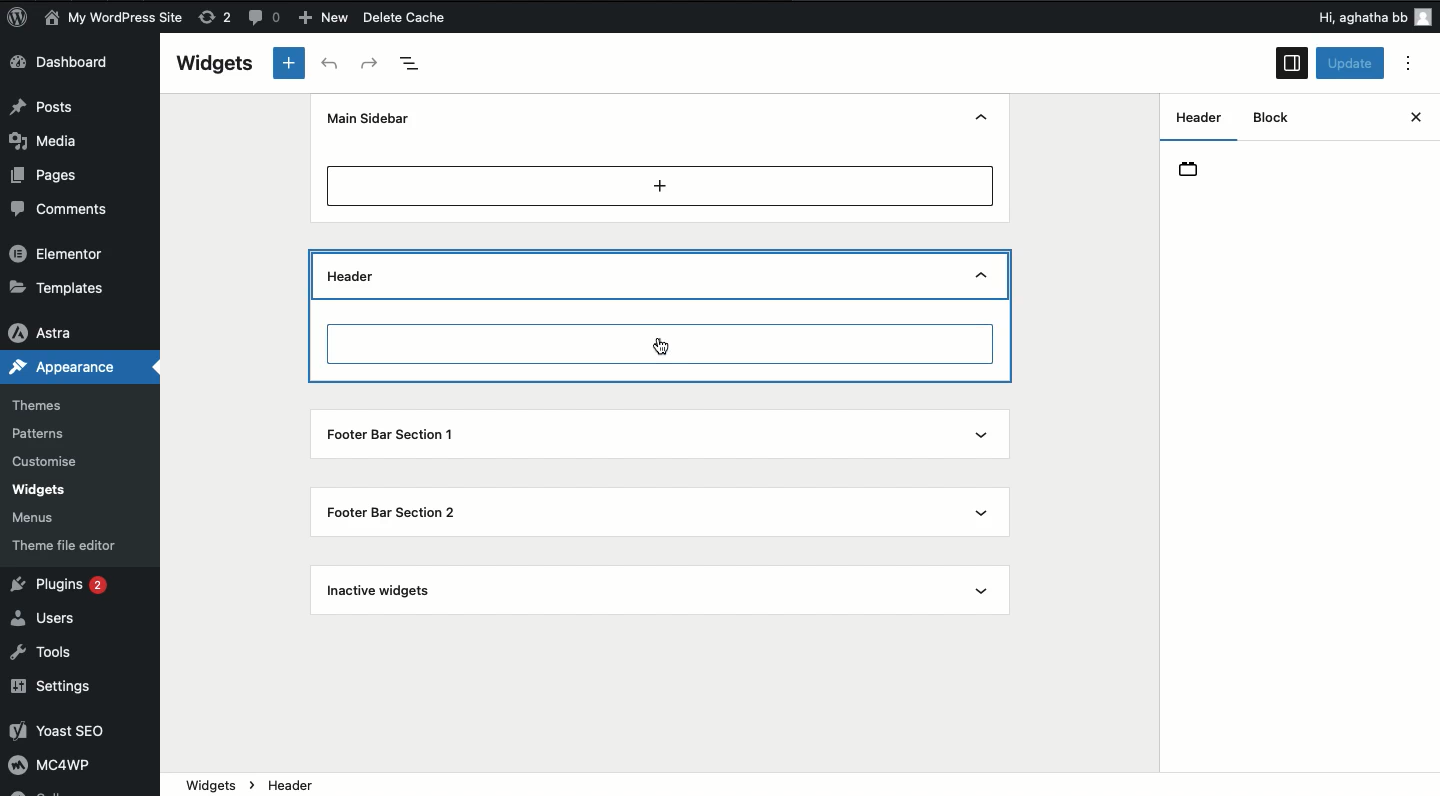 The height and width of the screenshot is (796, 1440). What do you see at coordinates (44, 434) in the screenshot?
I see `Patterns` at bounding box center [44, 434].